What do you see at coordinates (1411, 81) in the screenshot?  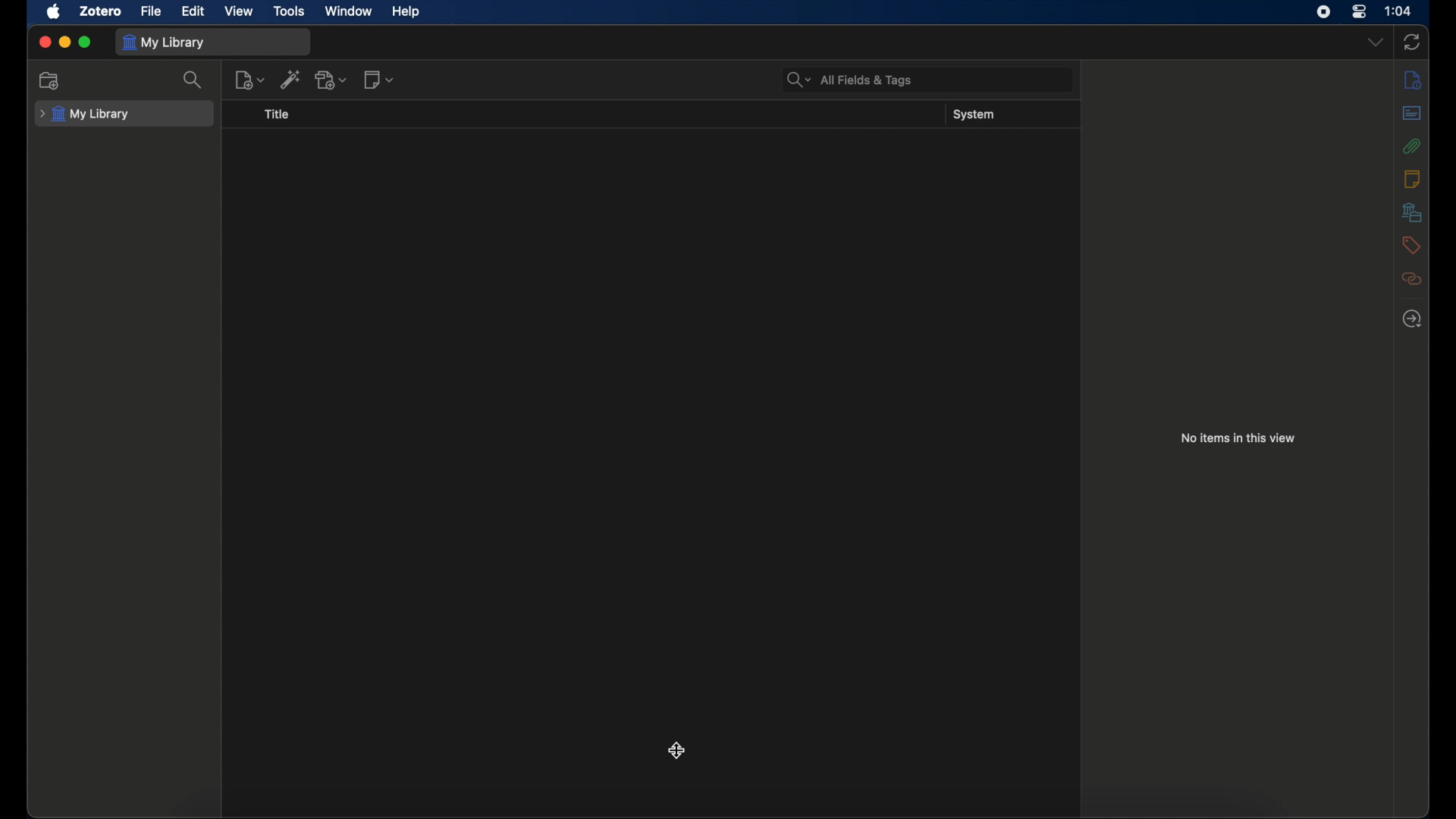 I see `info` at bounding box center [1411, 81].